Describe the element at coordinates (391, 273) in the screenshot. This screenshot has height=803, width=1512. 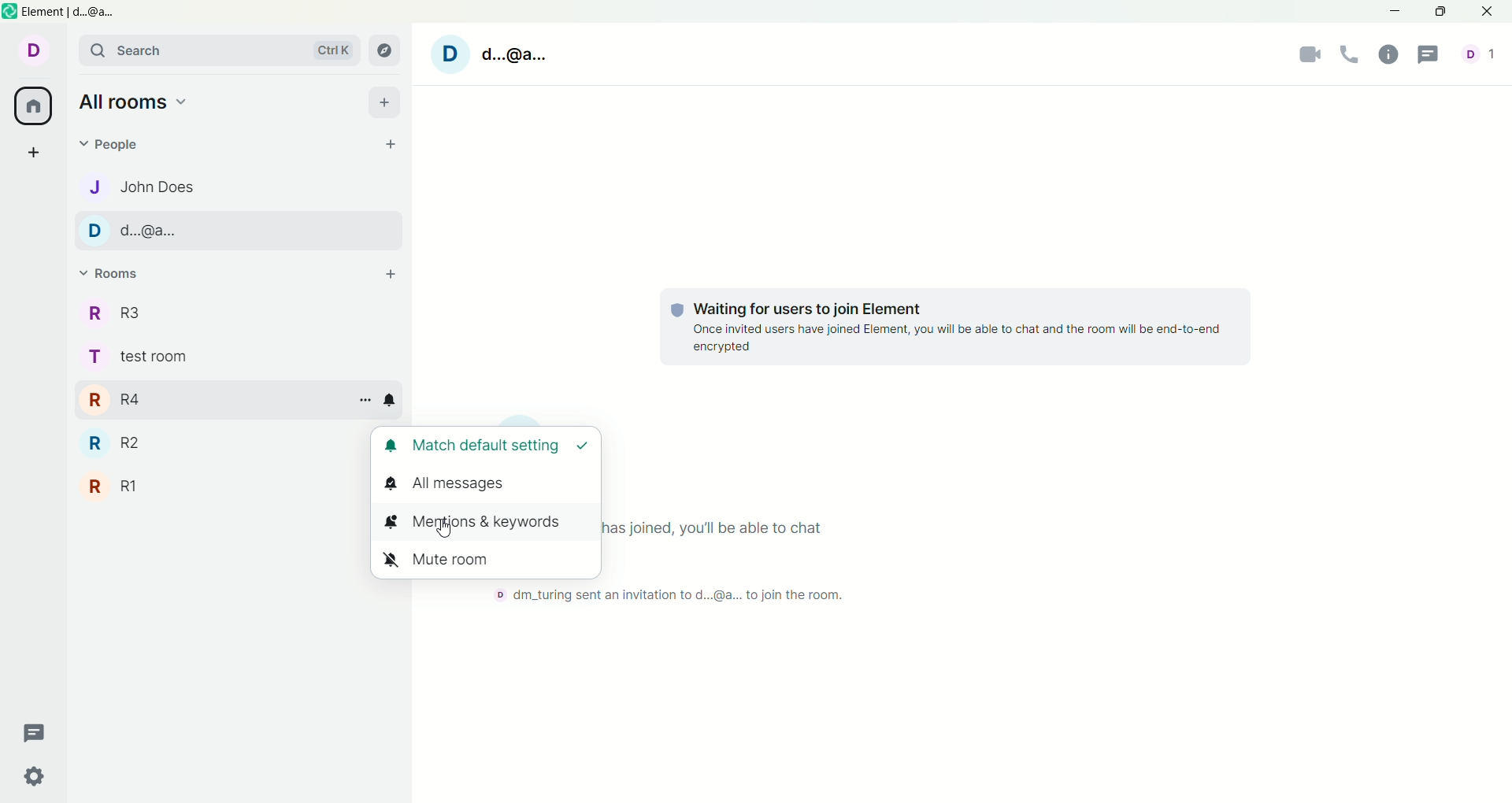
I see `add` at that location.